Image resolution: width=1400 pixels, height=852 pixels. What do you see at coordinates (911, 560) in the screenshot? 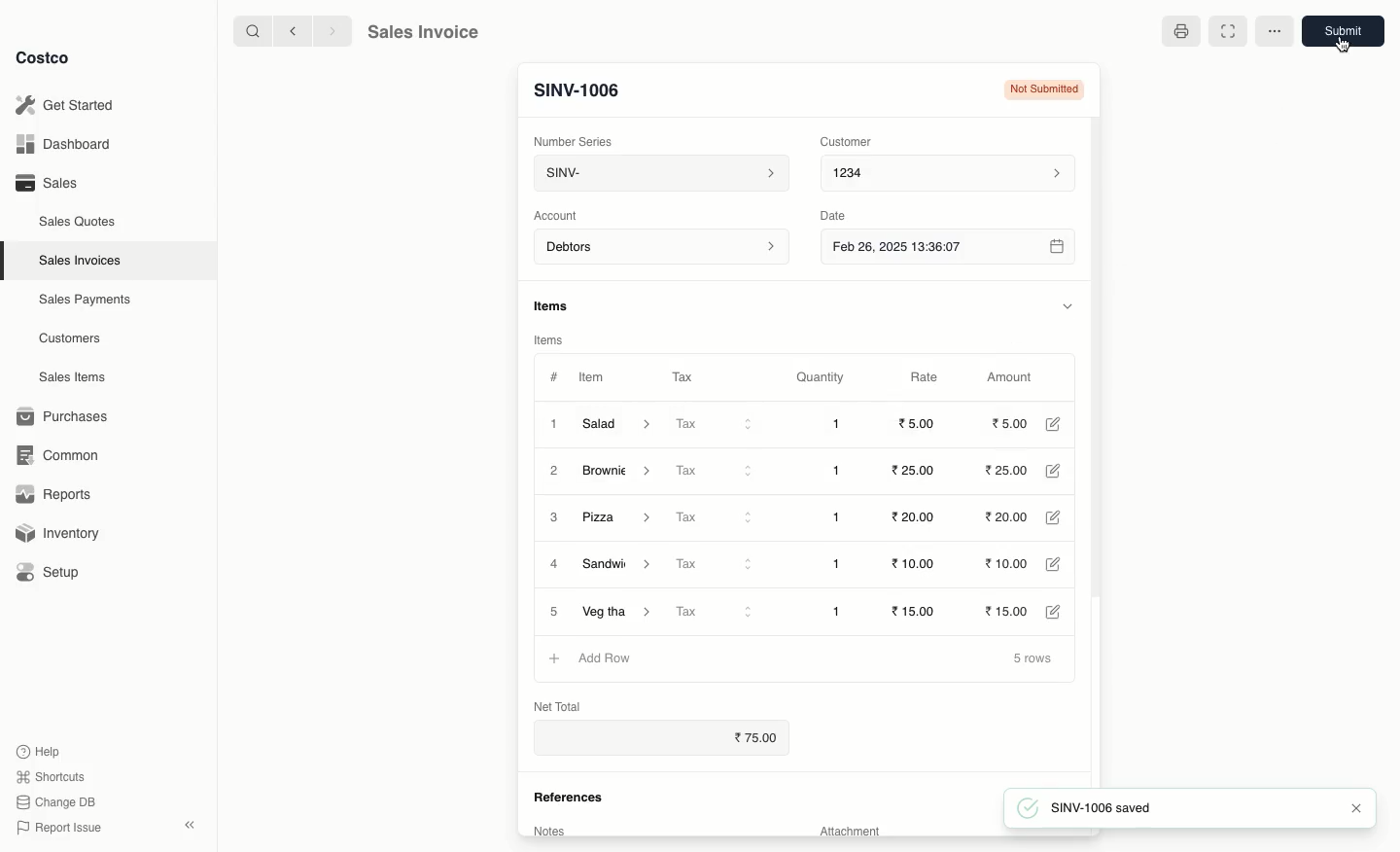
I see `10.00` at bounding box center [911, 560].